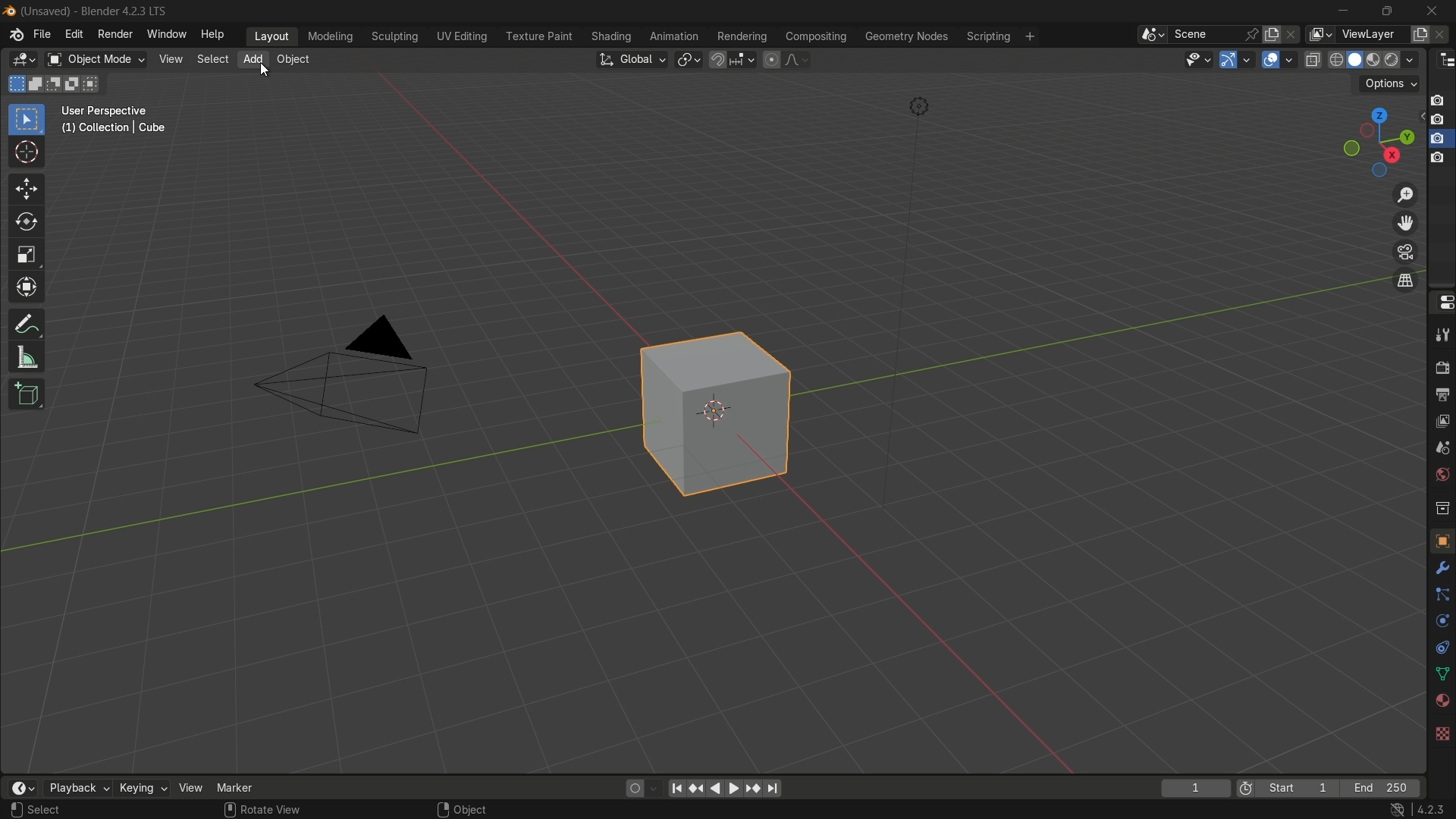 This screenshot has width=1456, height=819. What do you see at coordinates (211, 59) in the screenshot?
I see `select` at bounding box center [211, 59].